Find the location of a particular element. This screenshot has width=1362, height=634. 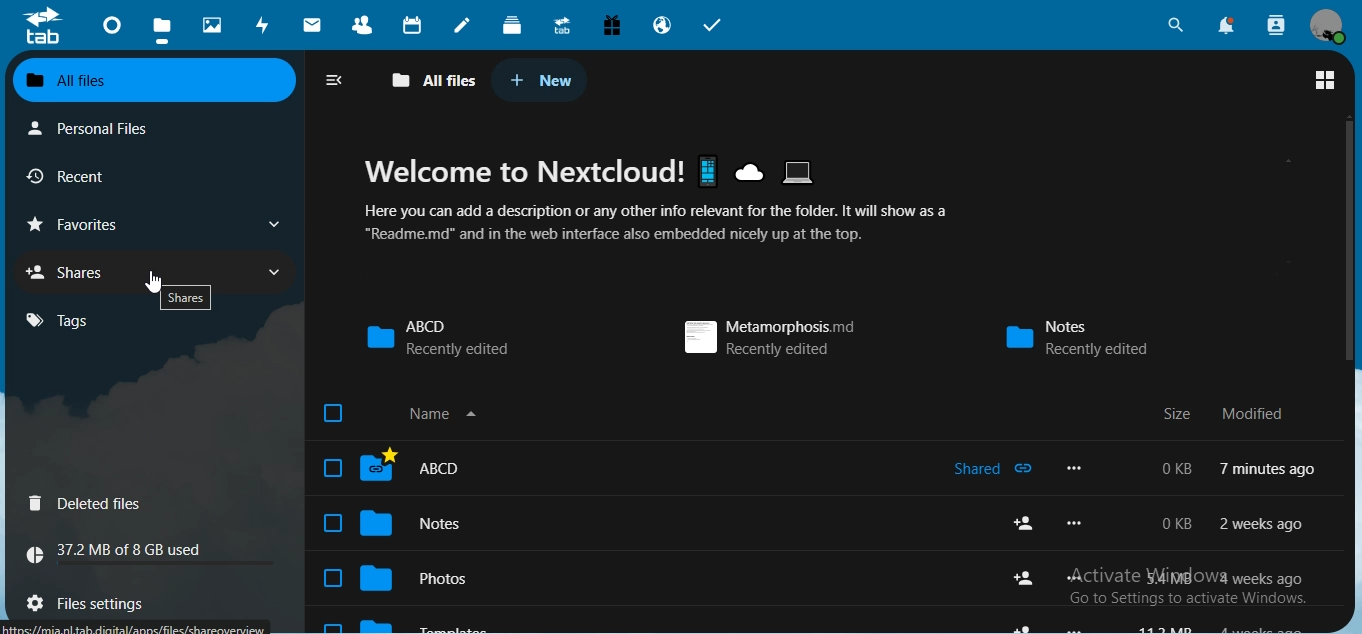

check box is located at coordinates (336, 413).